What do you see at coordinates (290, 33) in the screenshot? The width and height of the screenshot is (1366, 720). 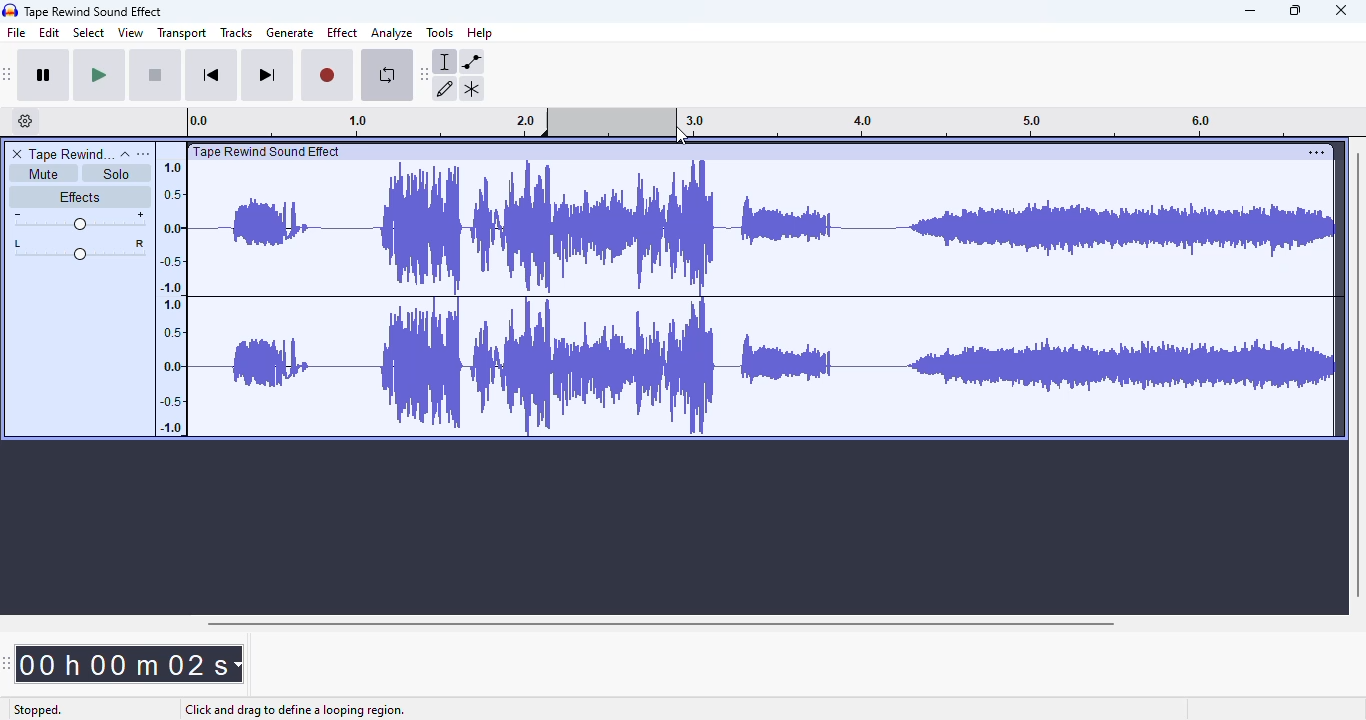 I see `generate` at bounding box center [290, 33].